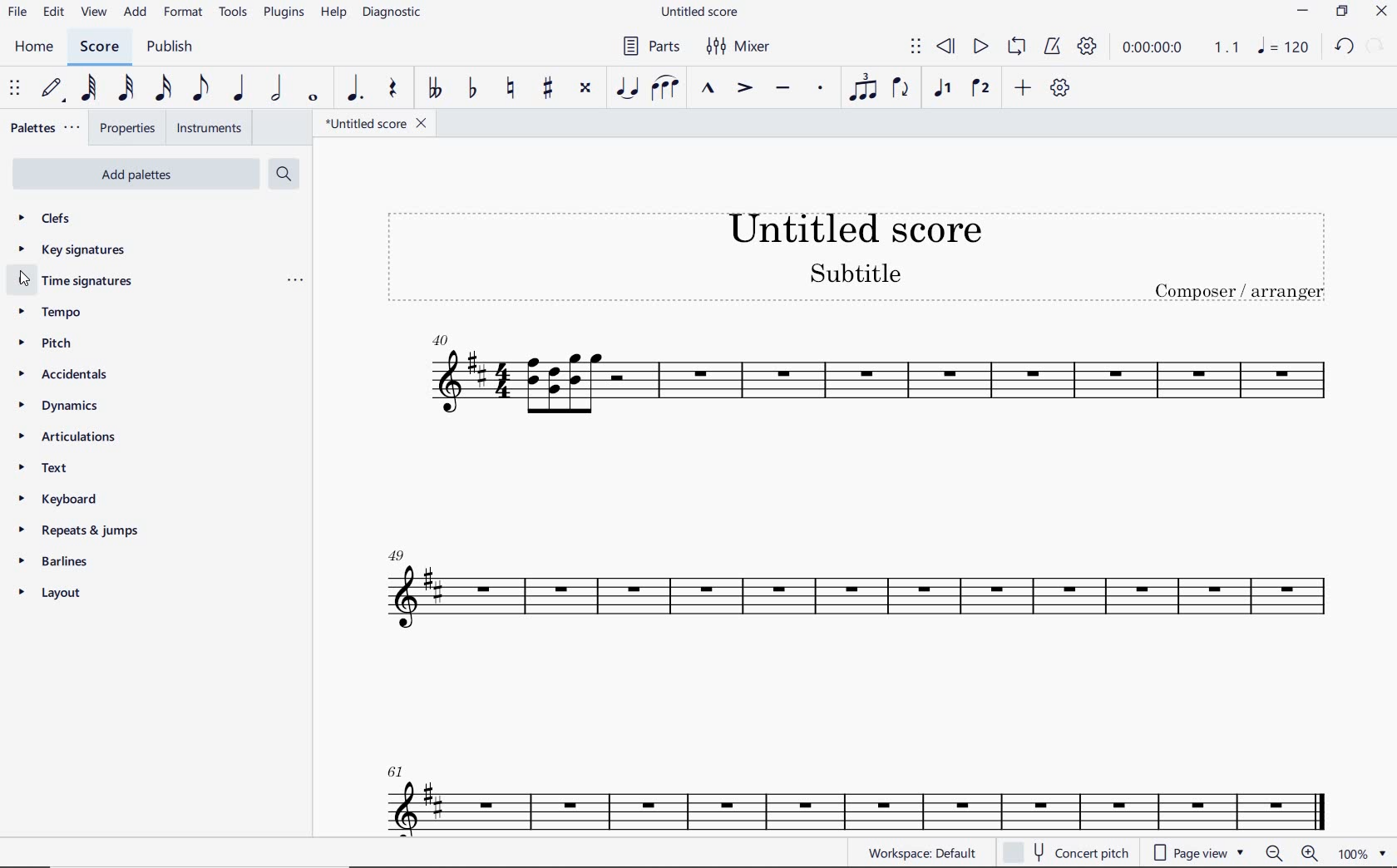 This screenshot has width=1397, height=868. What do you see at coordinates (1342, 45) in the screenshot?
I see `UNDO` at bounding box center [1342, 45].